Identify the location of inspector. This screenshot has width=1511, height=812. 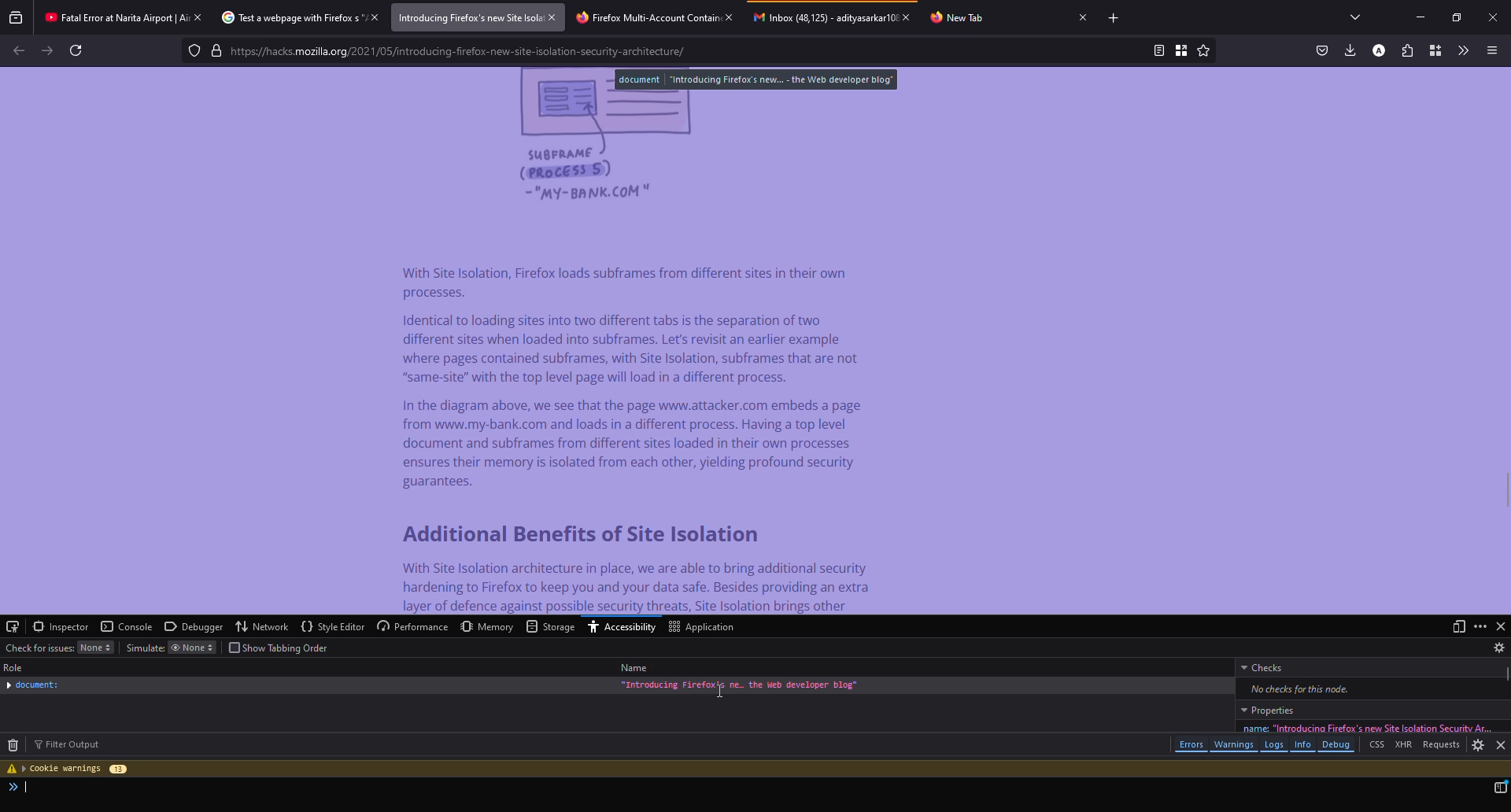
(60, 626).